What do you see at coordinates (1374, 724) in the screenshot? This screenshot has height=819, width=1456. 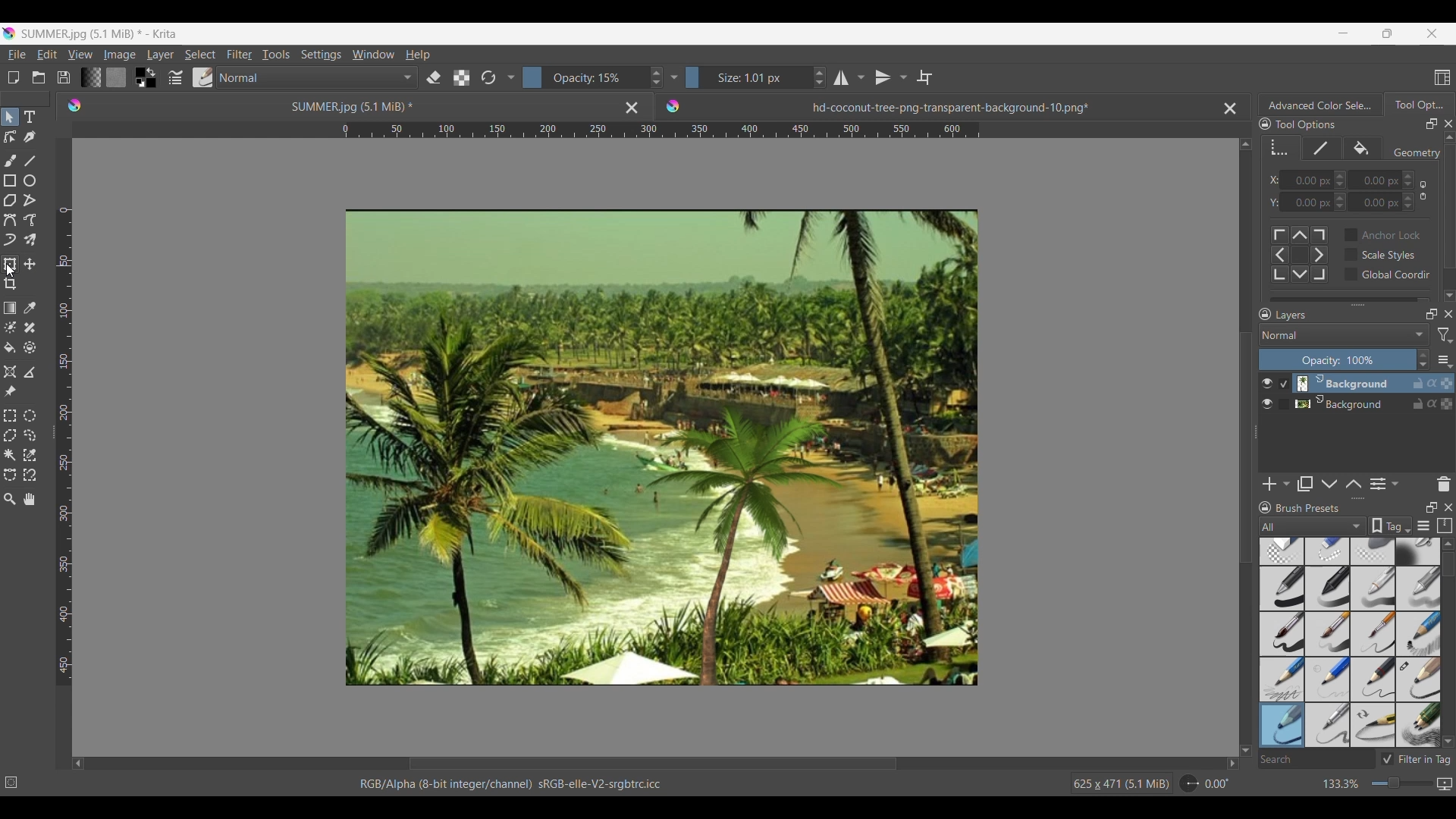 I see `pencil 6 - quick shade` at bounding box center [1374, 724].